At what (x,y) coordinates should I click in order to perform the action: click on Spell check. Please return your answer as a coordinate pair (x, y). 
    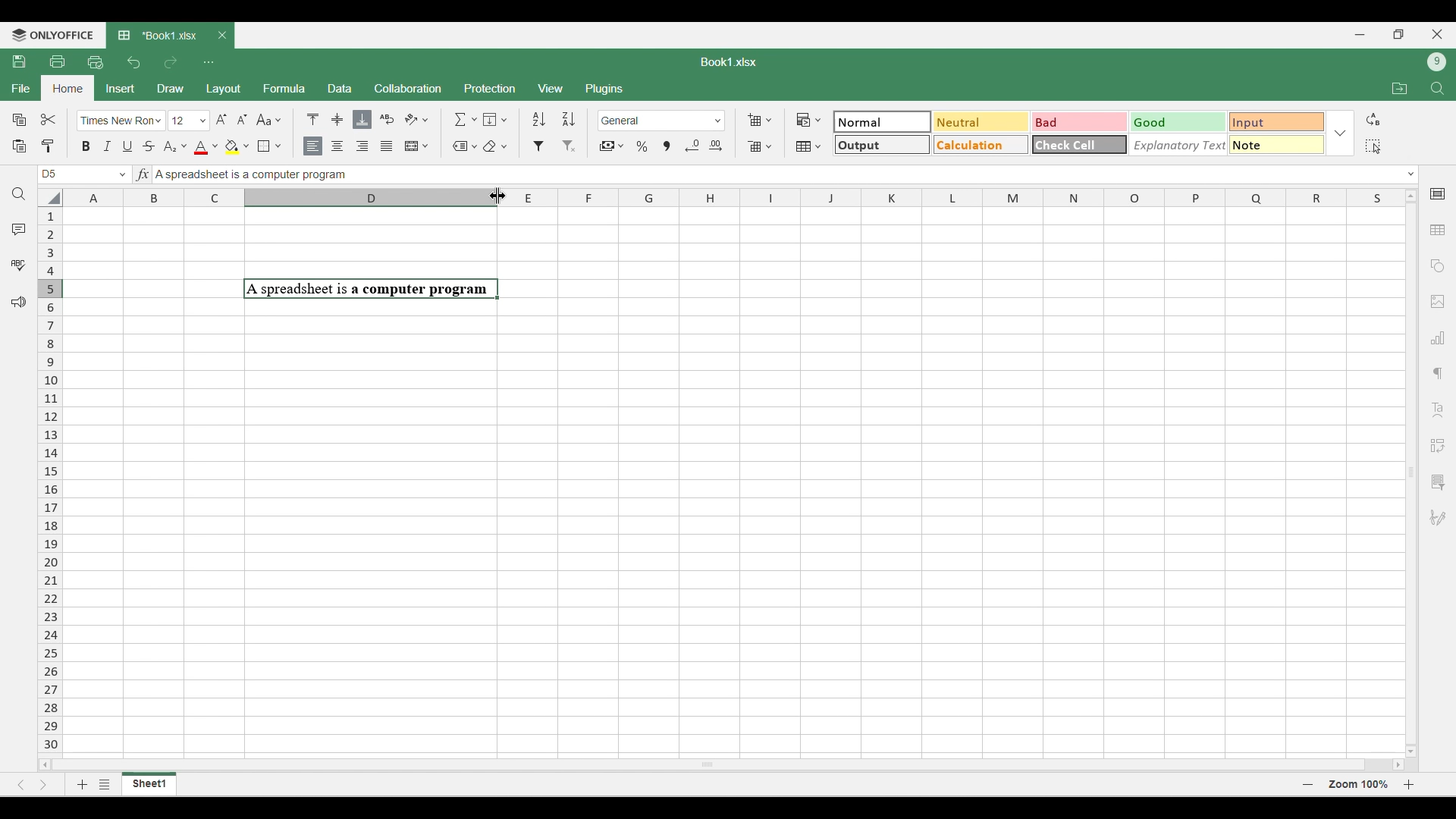
    Looking at the image, I should click on (18, 265).